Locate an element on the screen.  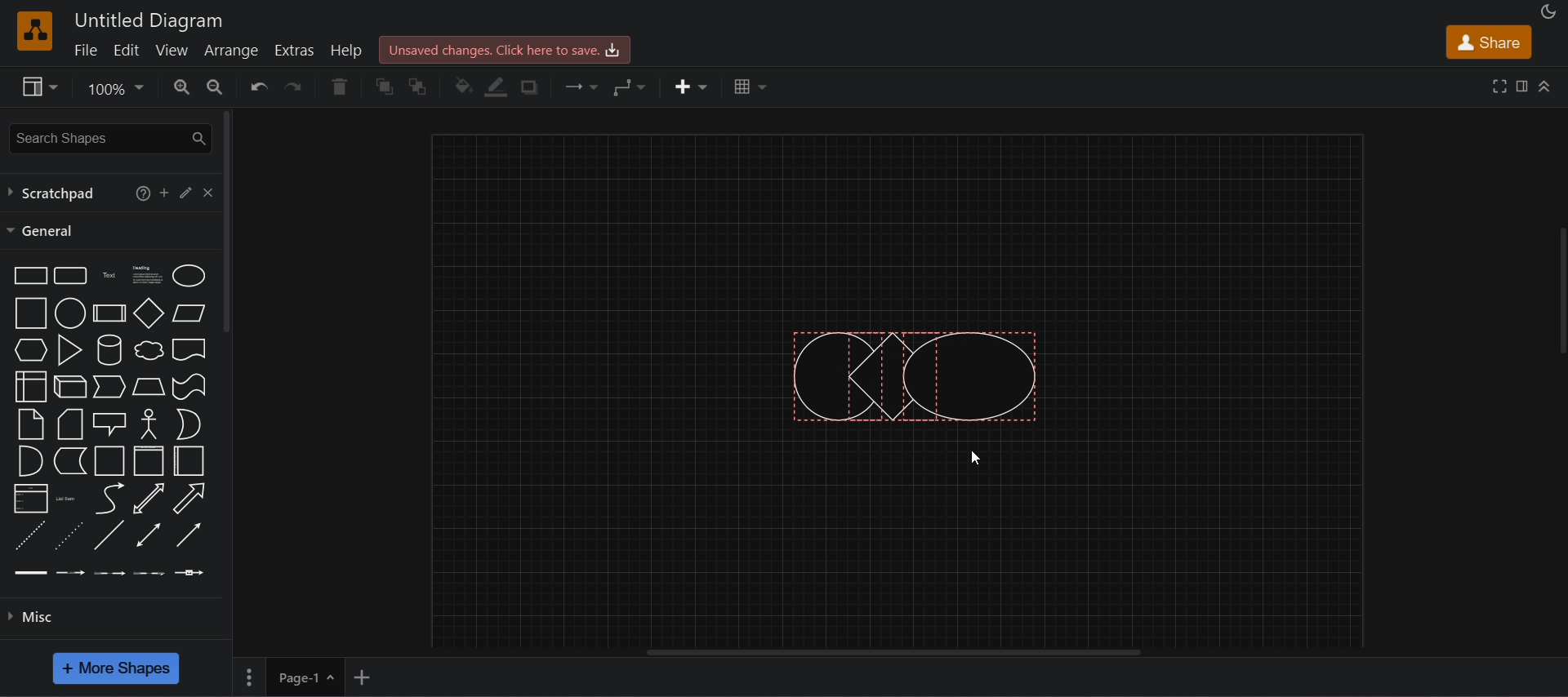
or is located at coordinates (188, 424).